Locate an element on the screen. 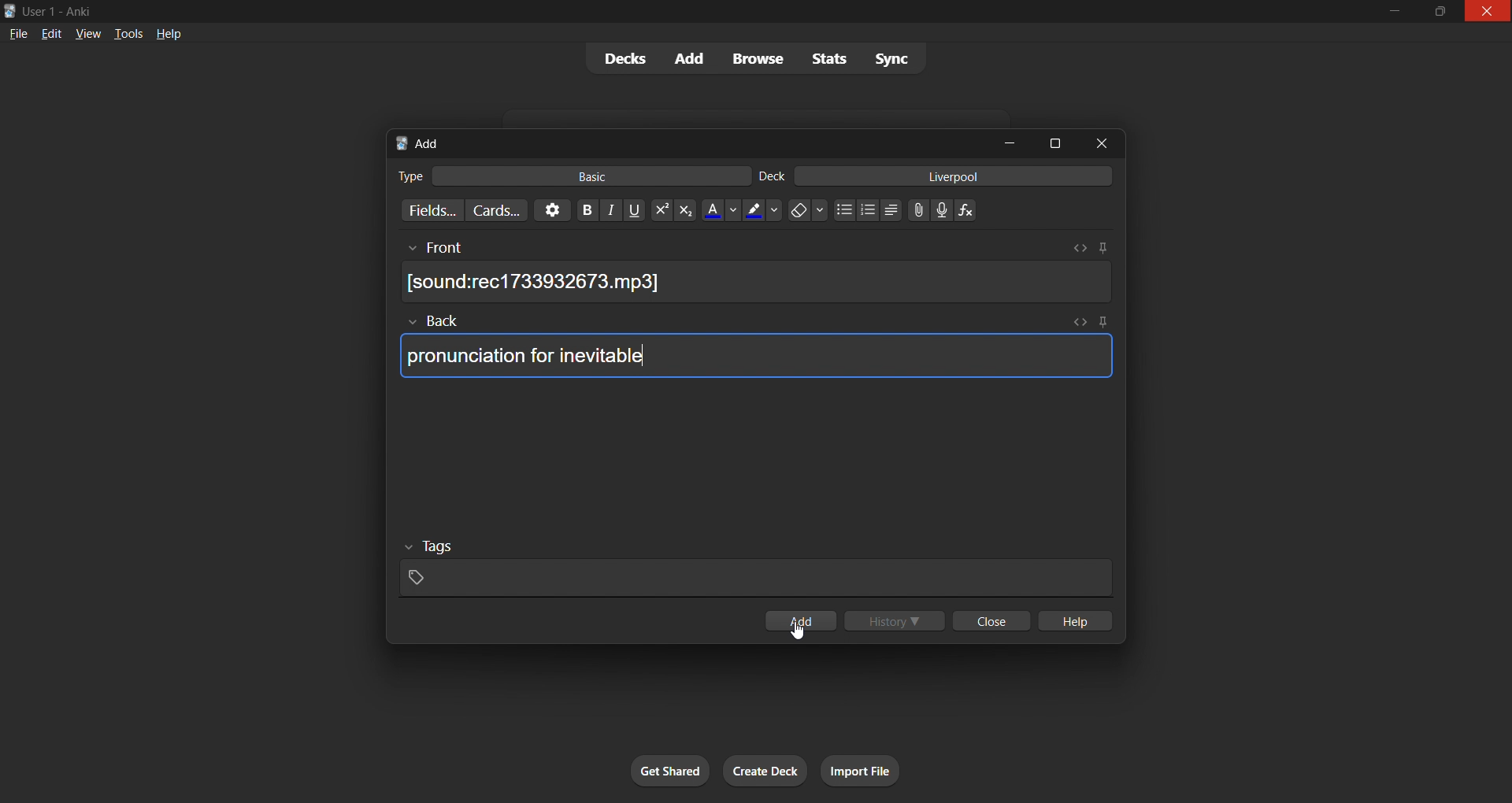 The image size is (1512, 803). insert file is located at coordinates (913, 208).